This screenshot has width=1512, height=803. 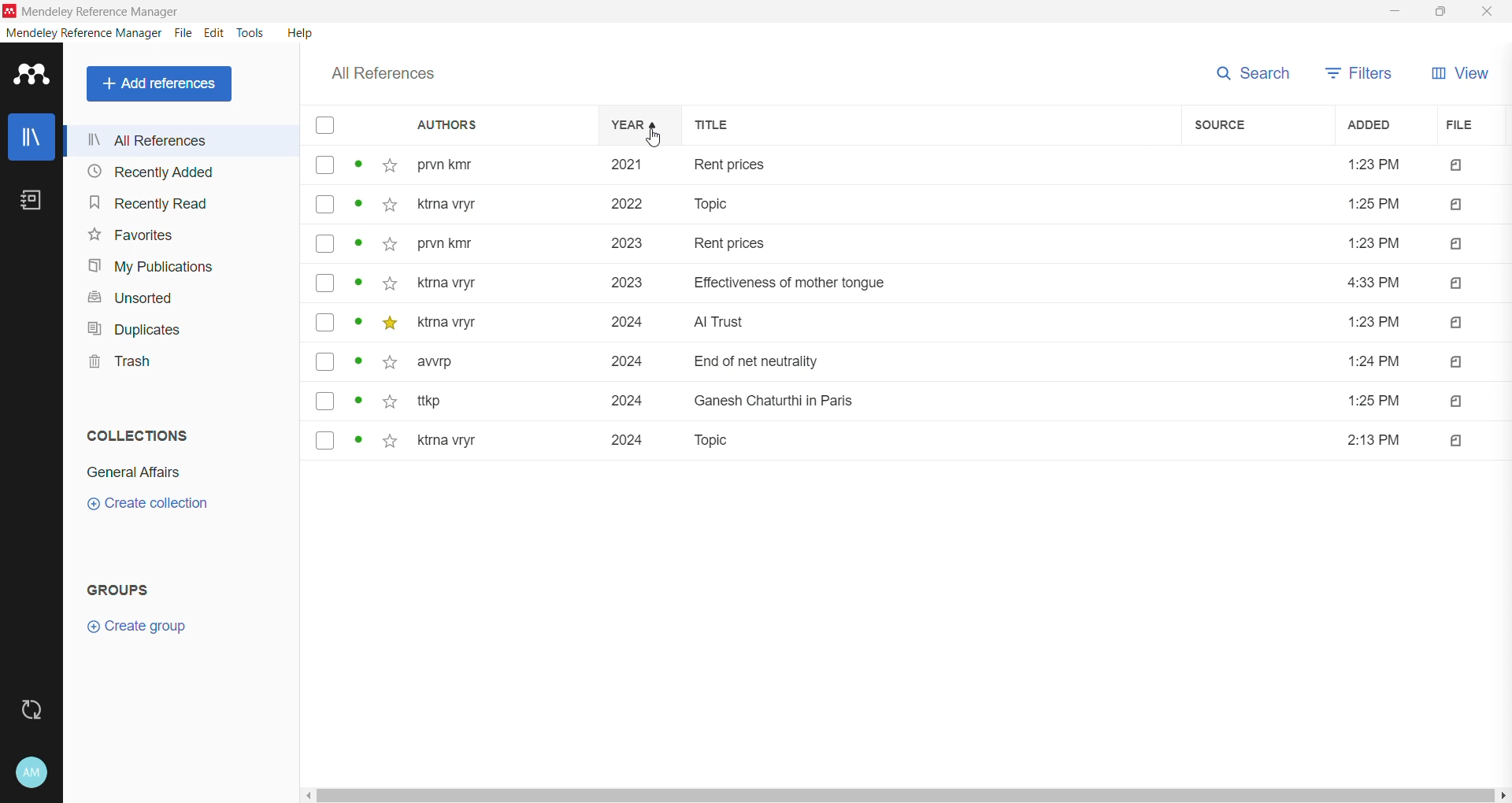 What do you see at coordinates (1396, 13) in the screenshot?
I see `Minimize` at bounding box center [1396, 13].